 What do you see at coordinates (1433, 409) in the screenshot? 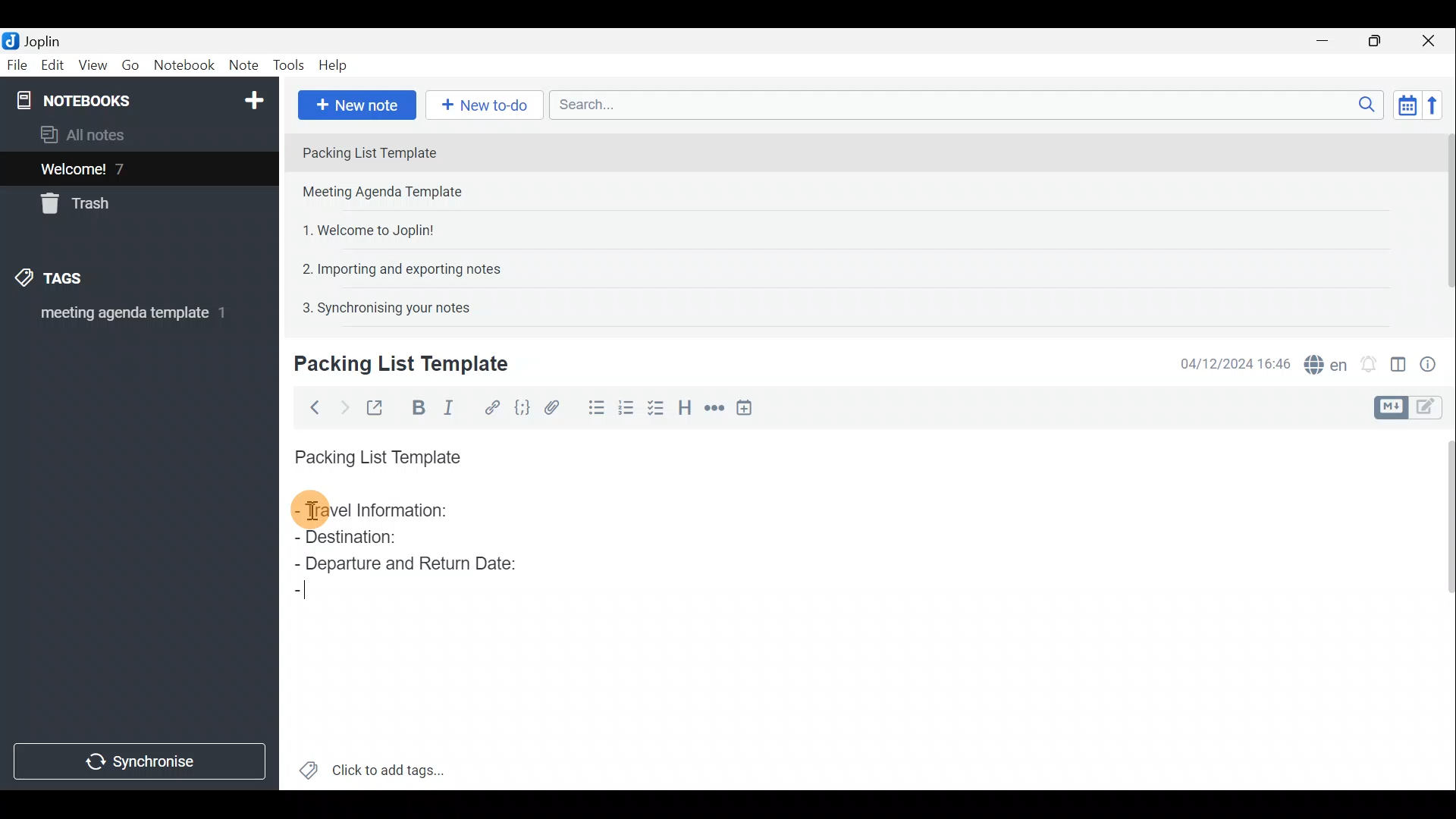
I see `Toggle editors` at bounding box center [1433, 409].